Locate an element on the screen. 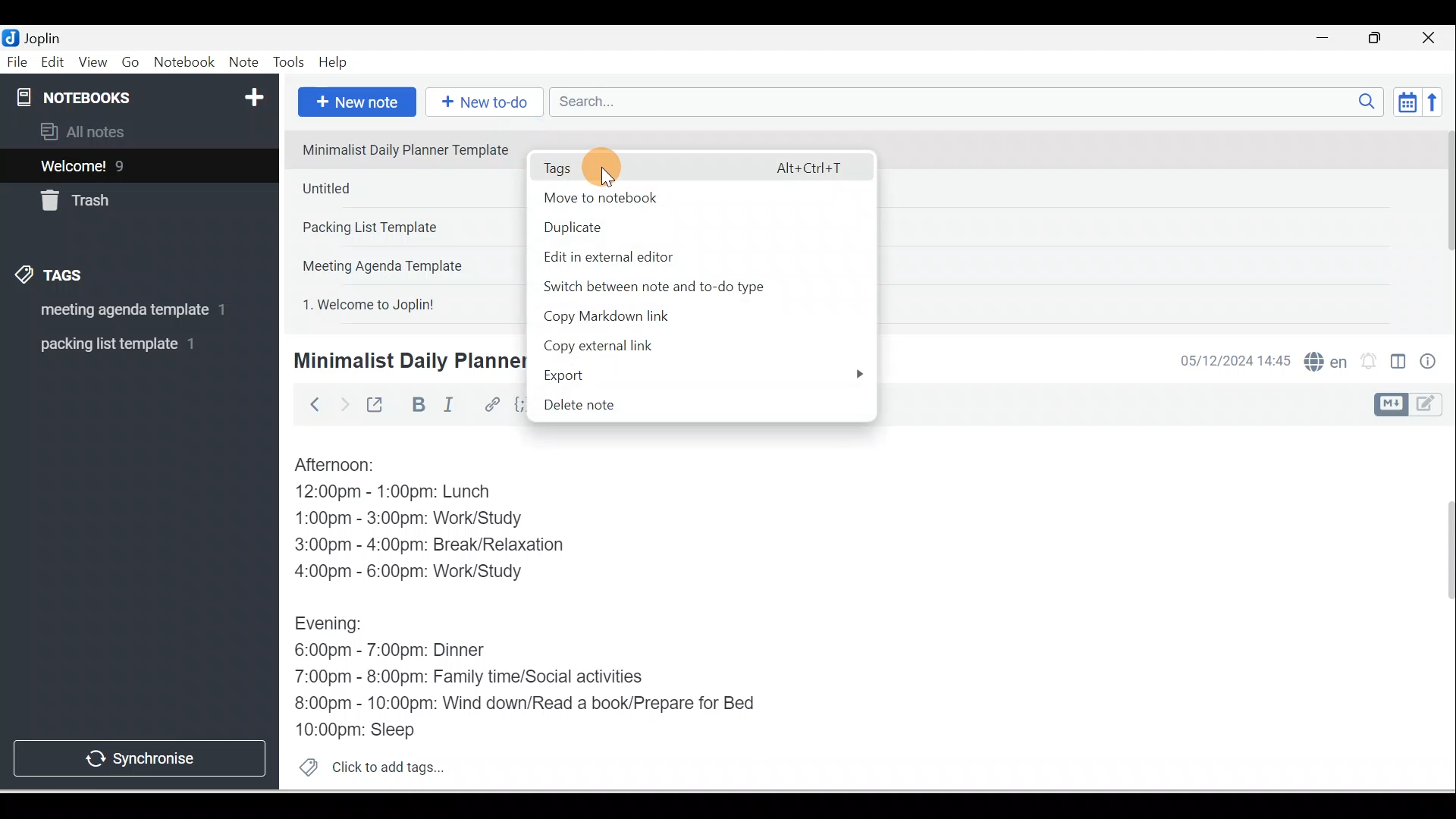 This screenshot has width=1456, height=819. Note 5 is located at coordinates (404, 303).